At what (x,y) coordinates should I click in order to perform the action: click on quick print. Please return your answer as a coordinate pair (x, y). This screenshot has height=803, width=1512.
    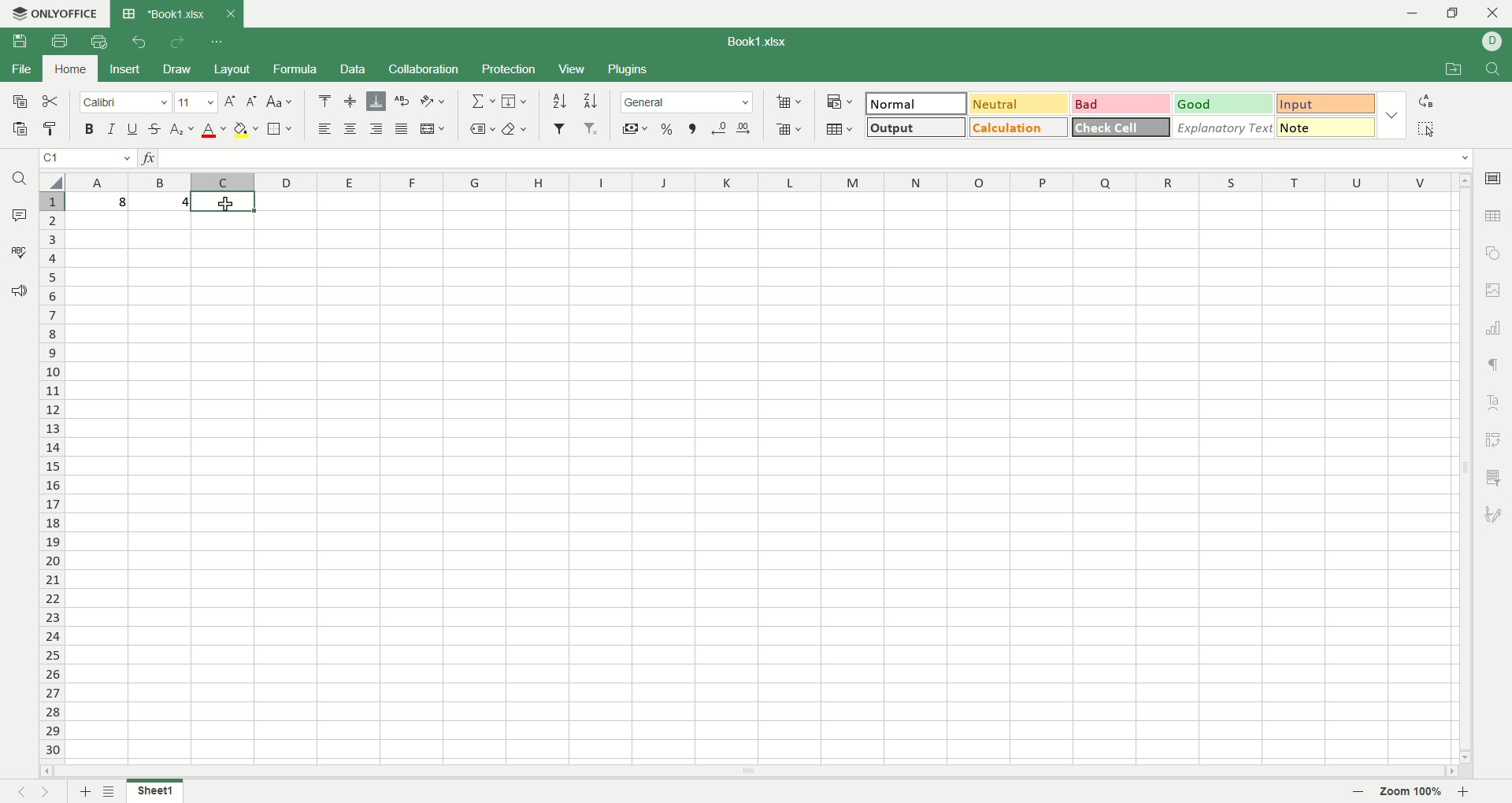
    Looking at the image, I should click on (97, 42).